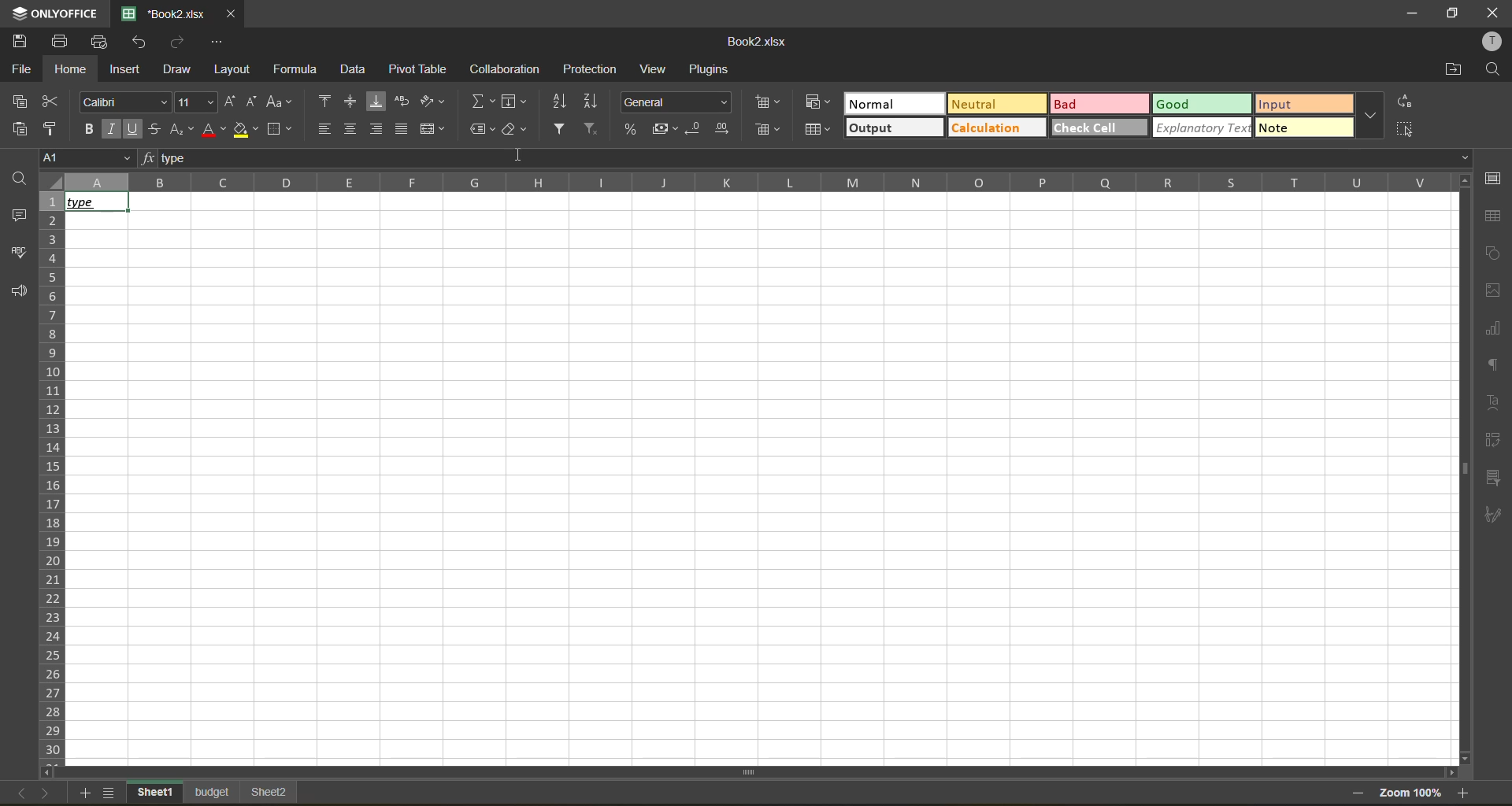 This screenshot has height=806, width=1512. Describe the element at coordinates (768, 102) in the screenshot. I see `insert cells` at that location.